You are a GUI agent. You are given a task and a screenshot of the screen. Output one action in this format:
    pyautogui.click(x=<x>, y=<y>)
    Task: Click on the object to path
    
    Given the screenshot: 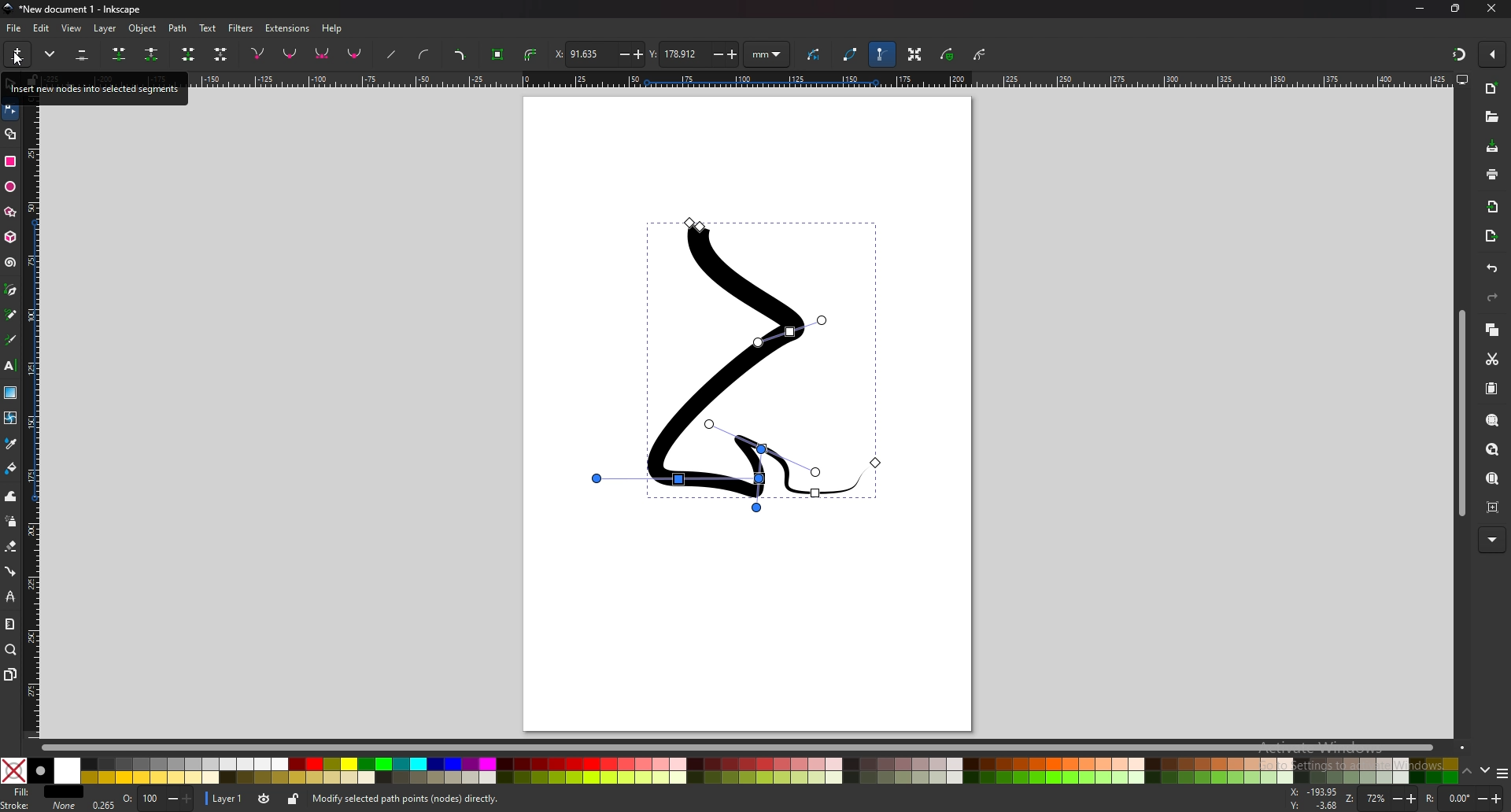 What is the action you would take?
    pyautogui.click(x=498, y=55)
    